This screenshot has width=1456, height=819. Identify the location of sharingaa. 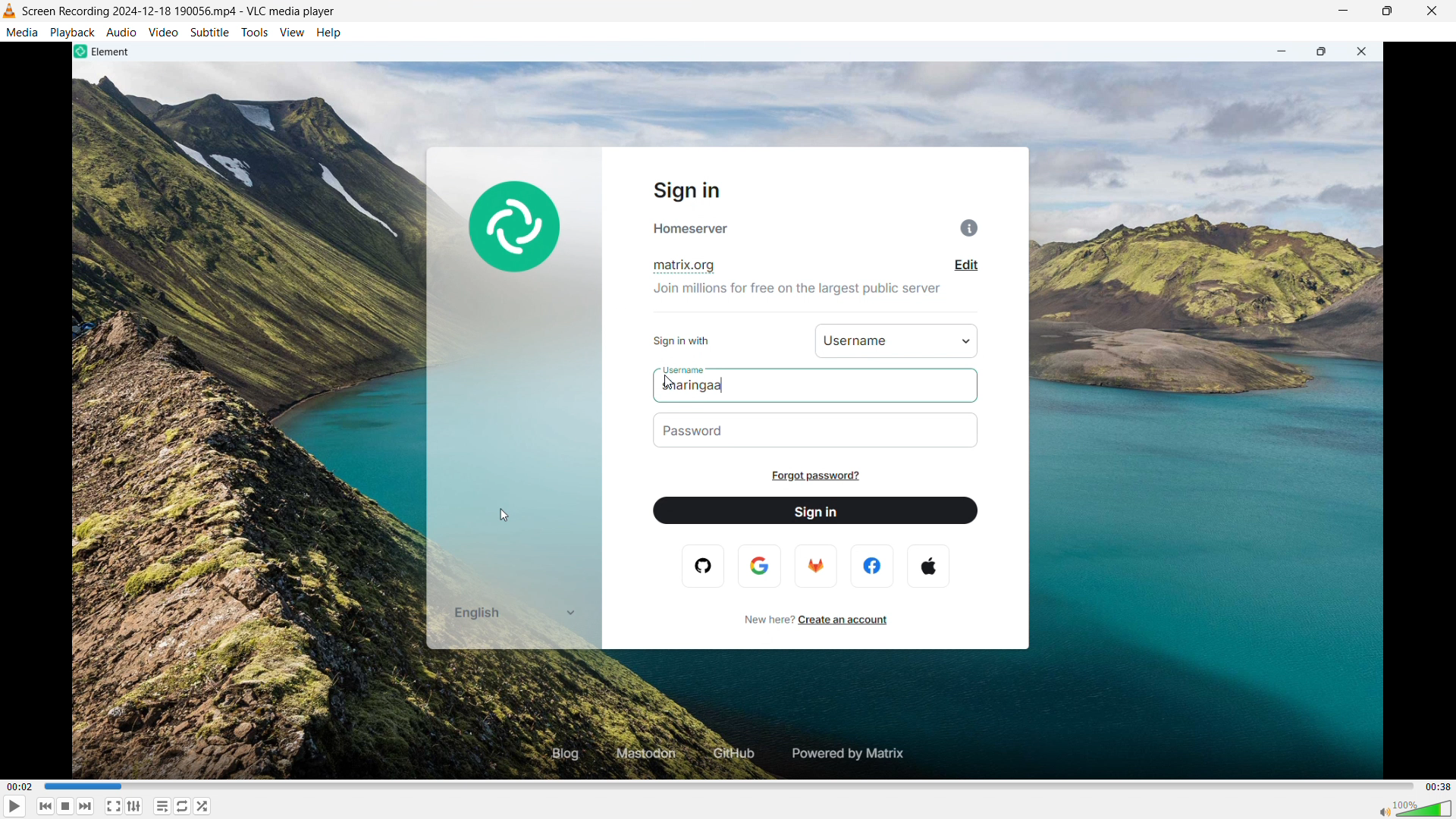
(818, 391).